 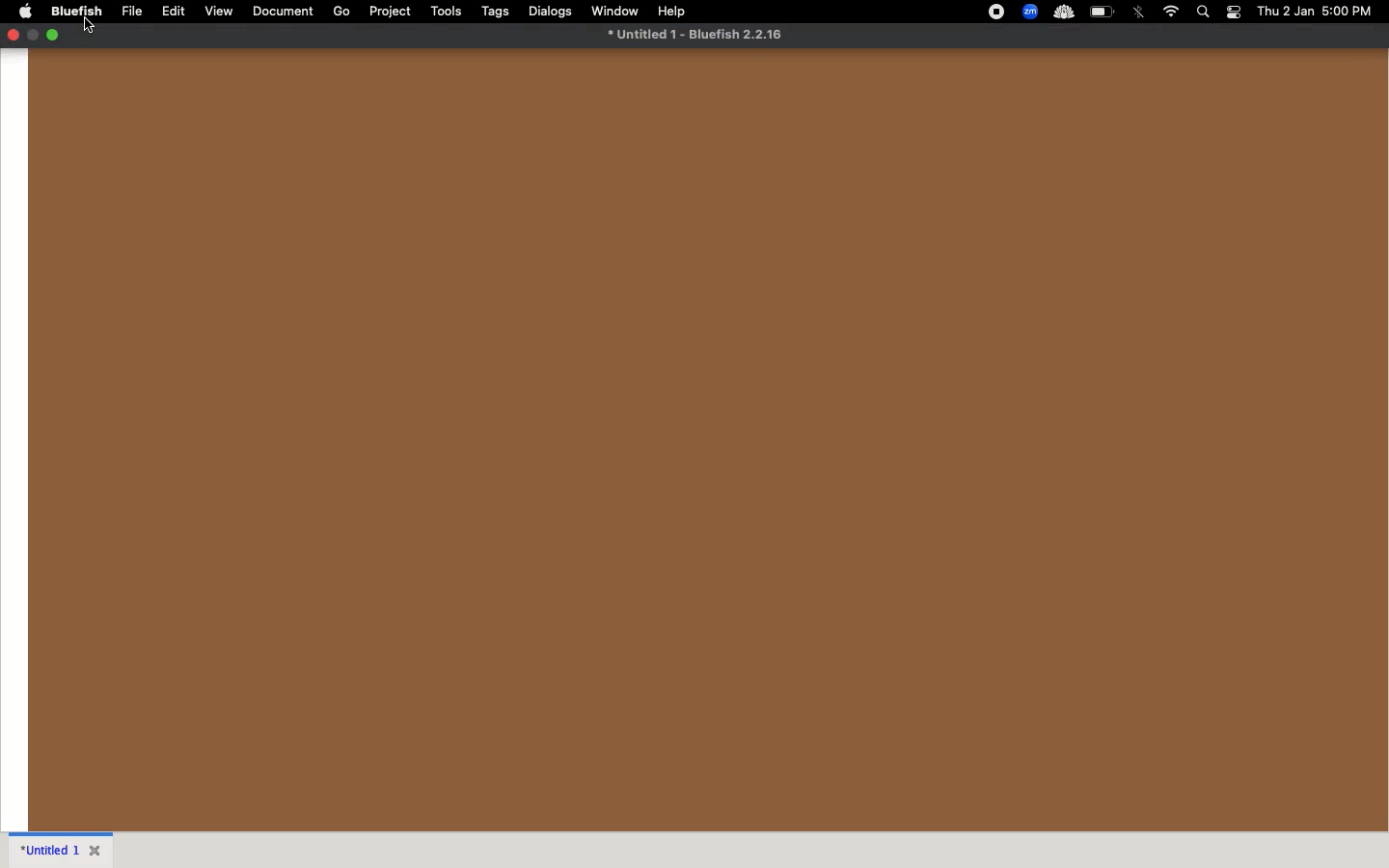 What do you see at coordinates (35, 35) in the screenshot?
I see `minimize` at bounding box center [35, 35].